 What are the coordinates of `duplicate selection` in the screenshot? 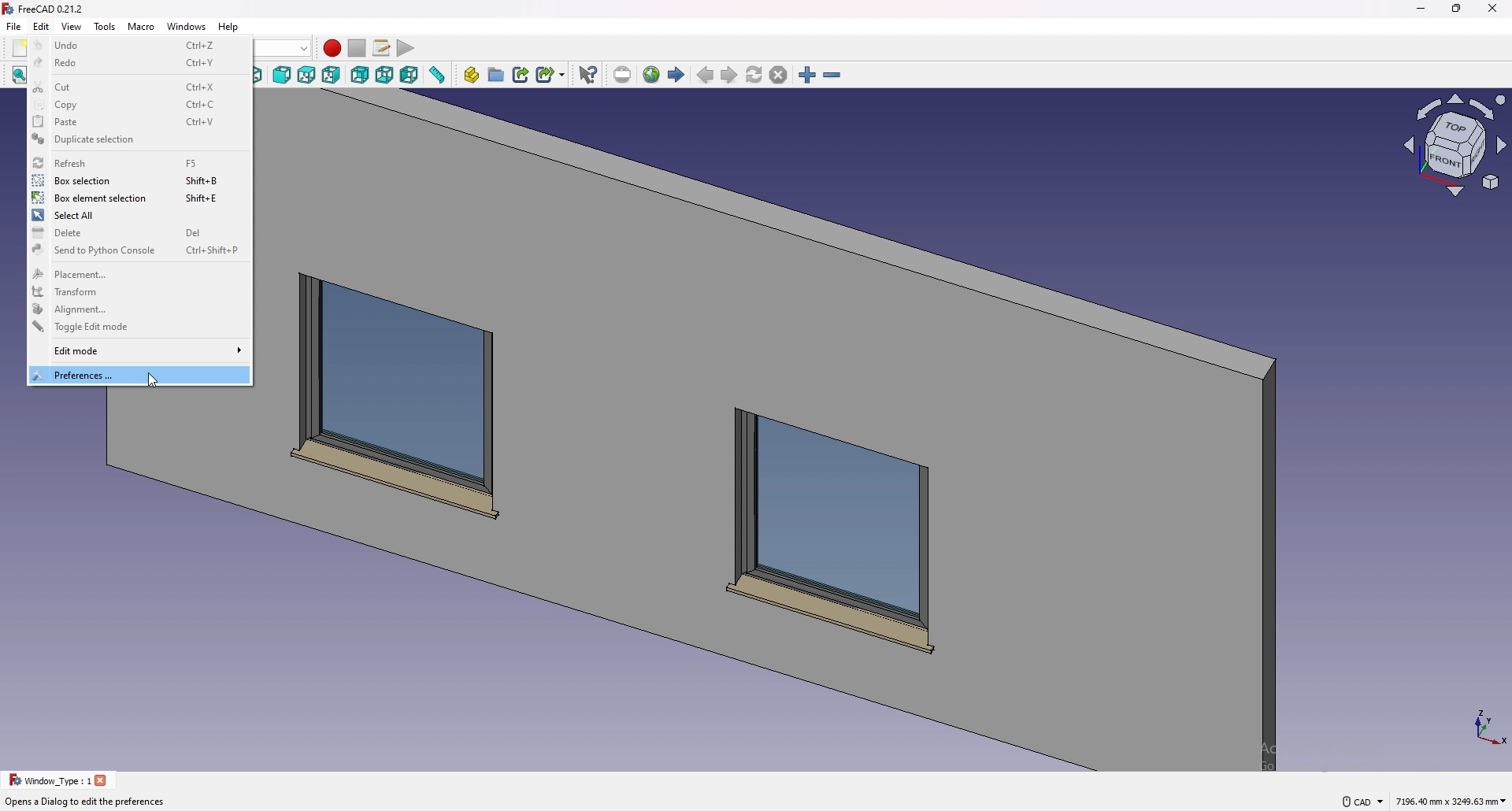 It's located at (136, 140).